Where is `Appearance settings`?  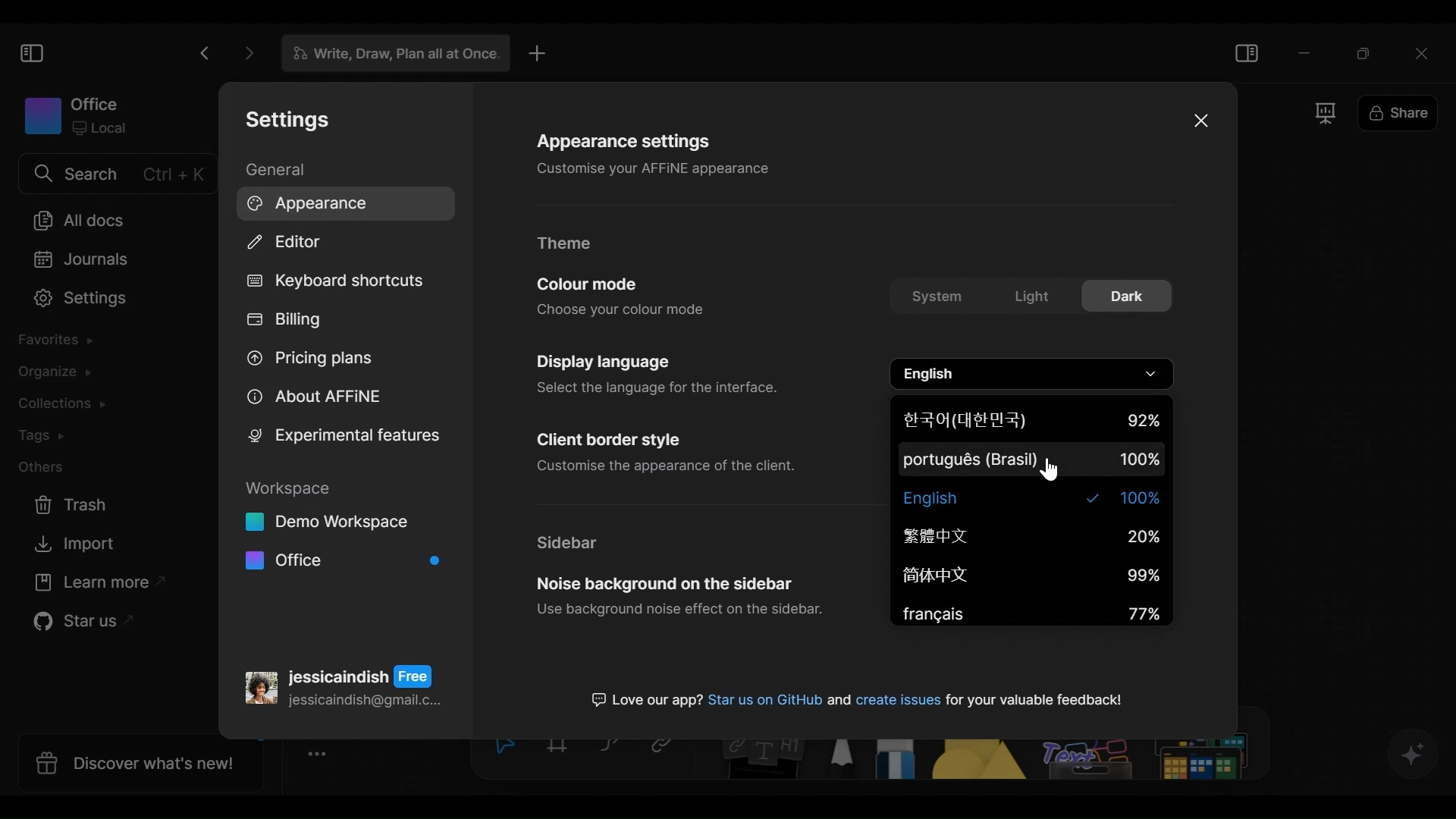
Appearance settings is located at coordinates (656, 152).